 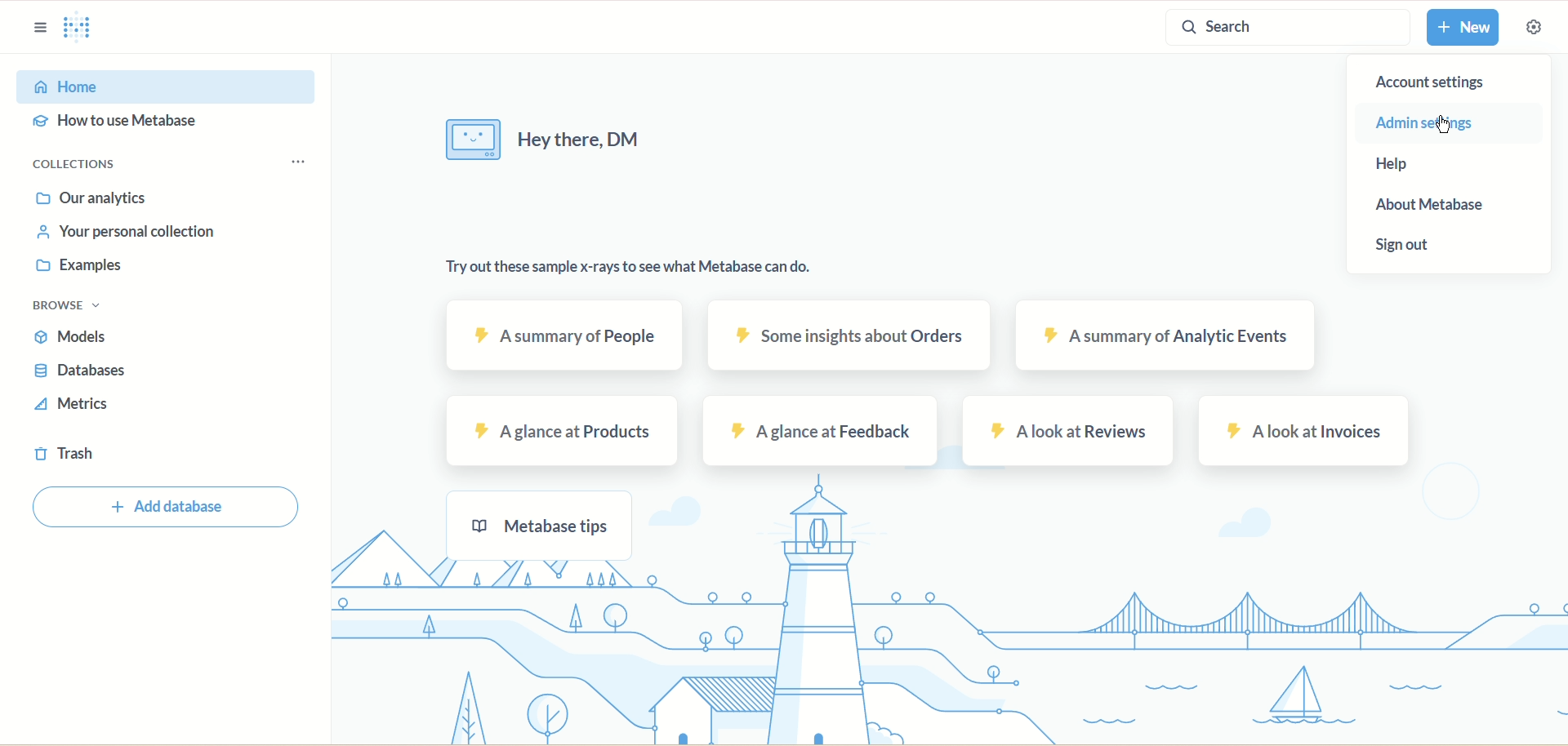 What do you see at coordinates (1162, 336) in the screenshot?
I see `a summary of Aaalytic events` at bounding box center [1162, 336].